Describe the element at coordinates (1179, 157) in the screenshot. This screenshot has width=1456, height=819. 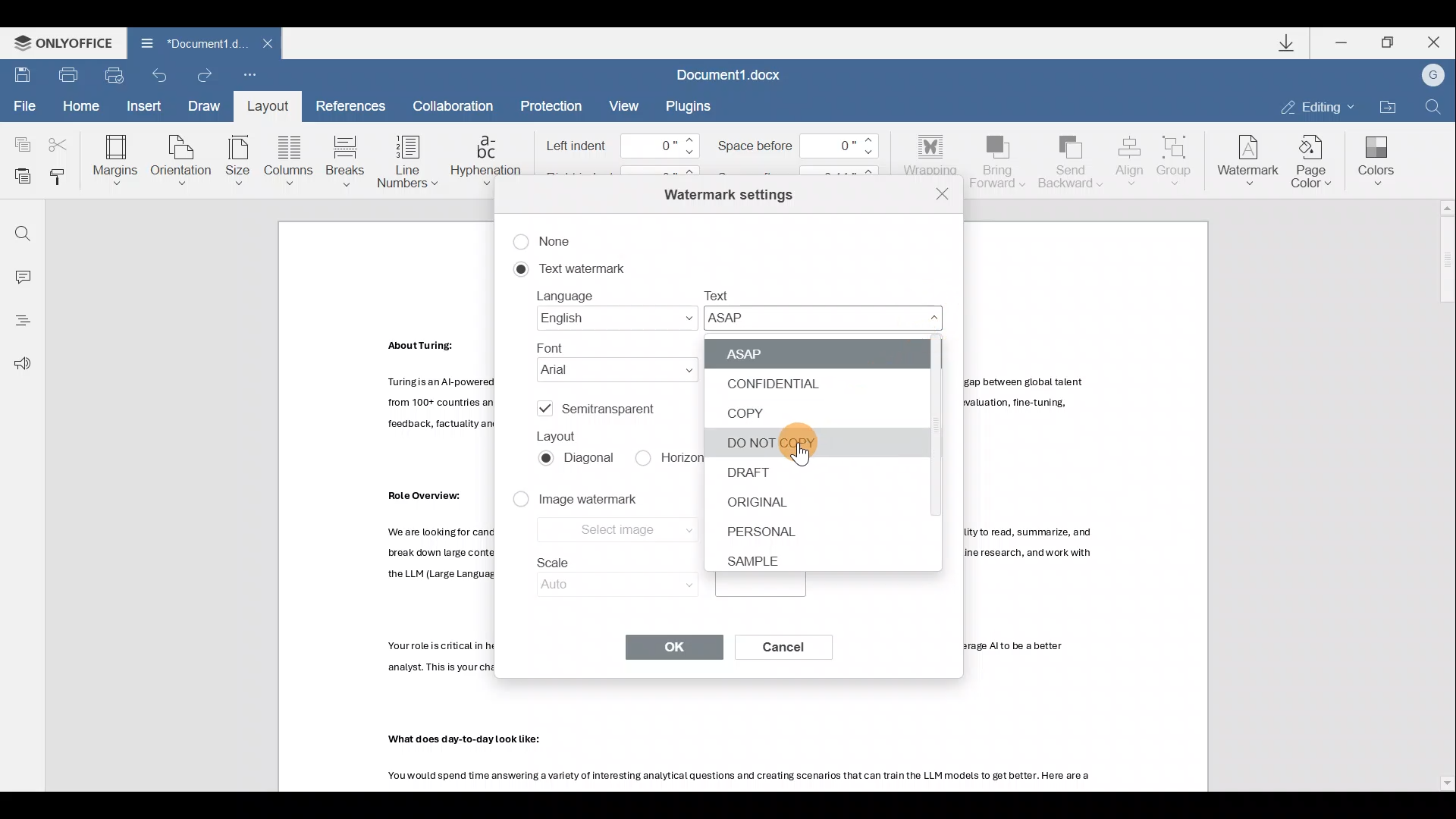
I see `Group` at that location.